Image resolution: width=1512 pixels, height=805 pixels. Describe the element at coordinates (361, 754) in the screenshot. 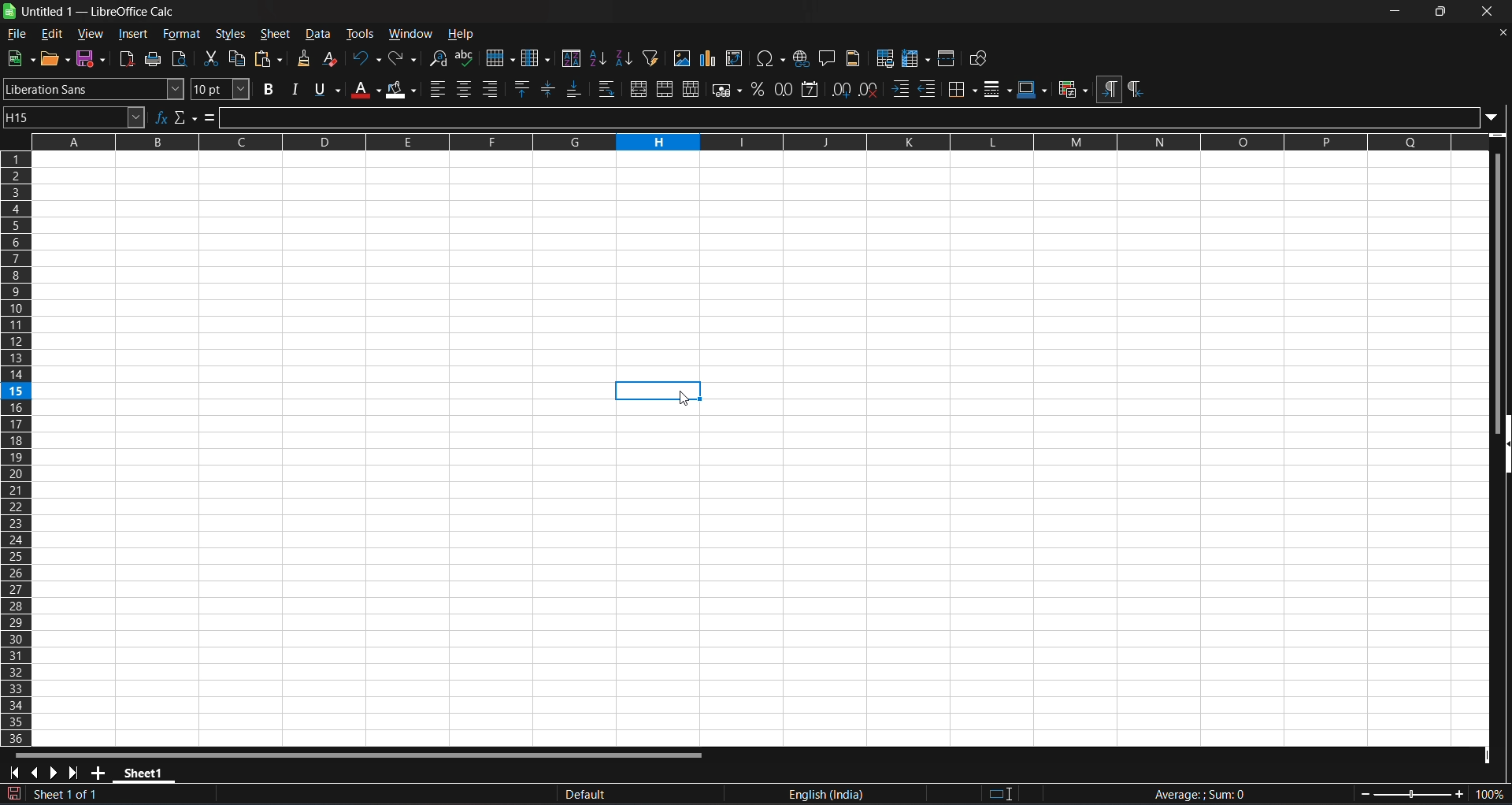

I see `horizontal scroll bar` at that location.